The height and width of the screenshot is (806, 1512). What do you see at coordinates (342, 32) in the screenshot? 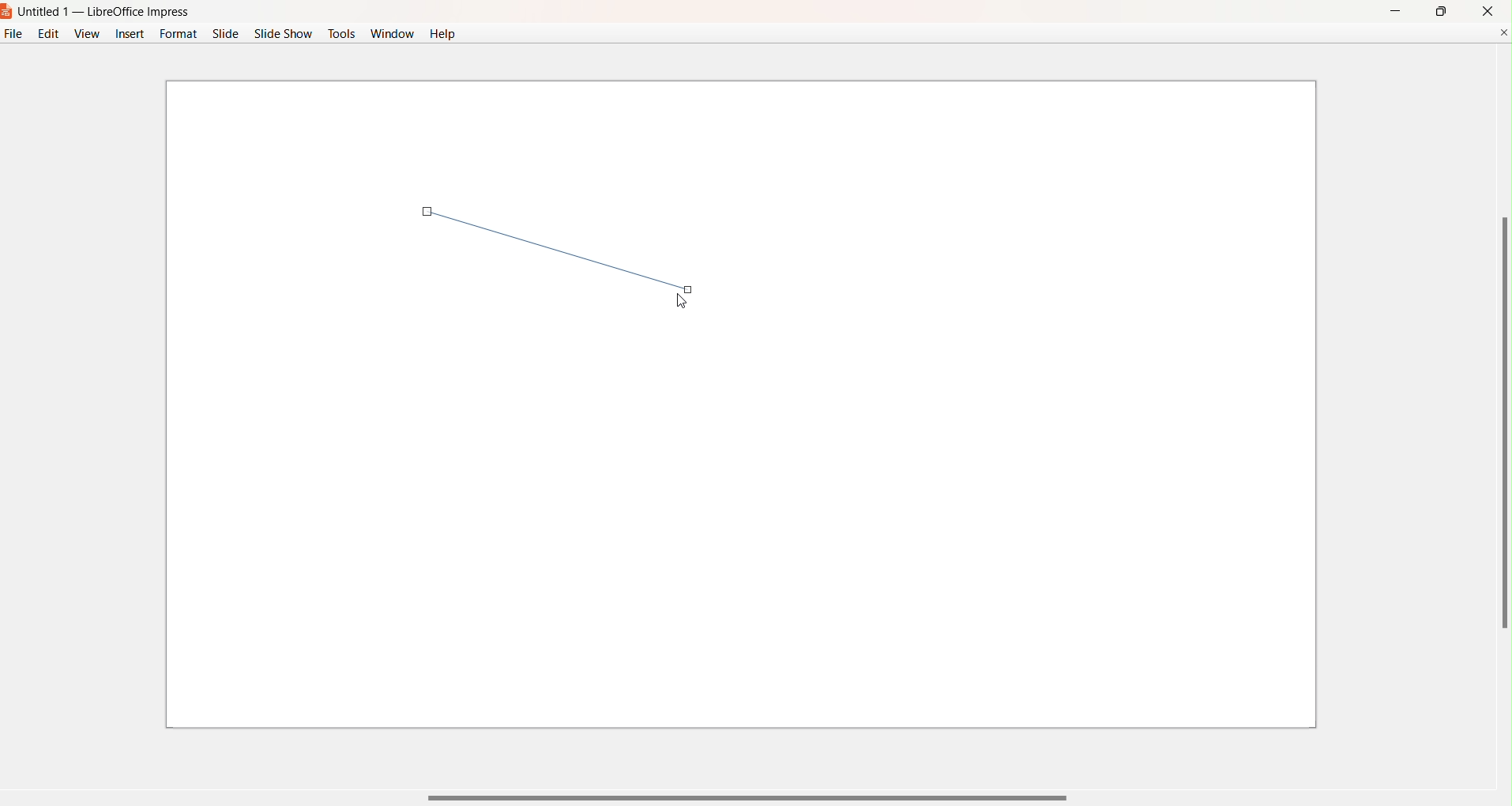
I see `Tools` at bounding box center [342, 32].